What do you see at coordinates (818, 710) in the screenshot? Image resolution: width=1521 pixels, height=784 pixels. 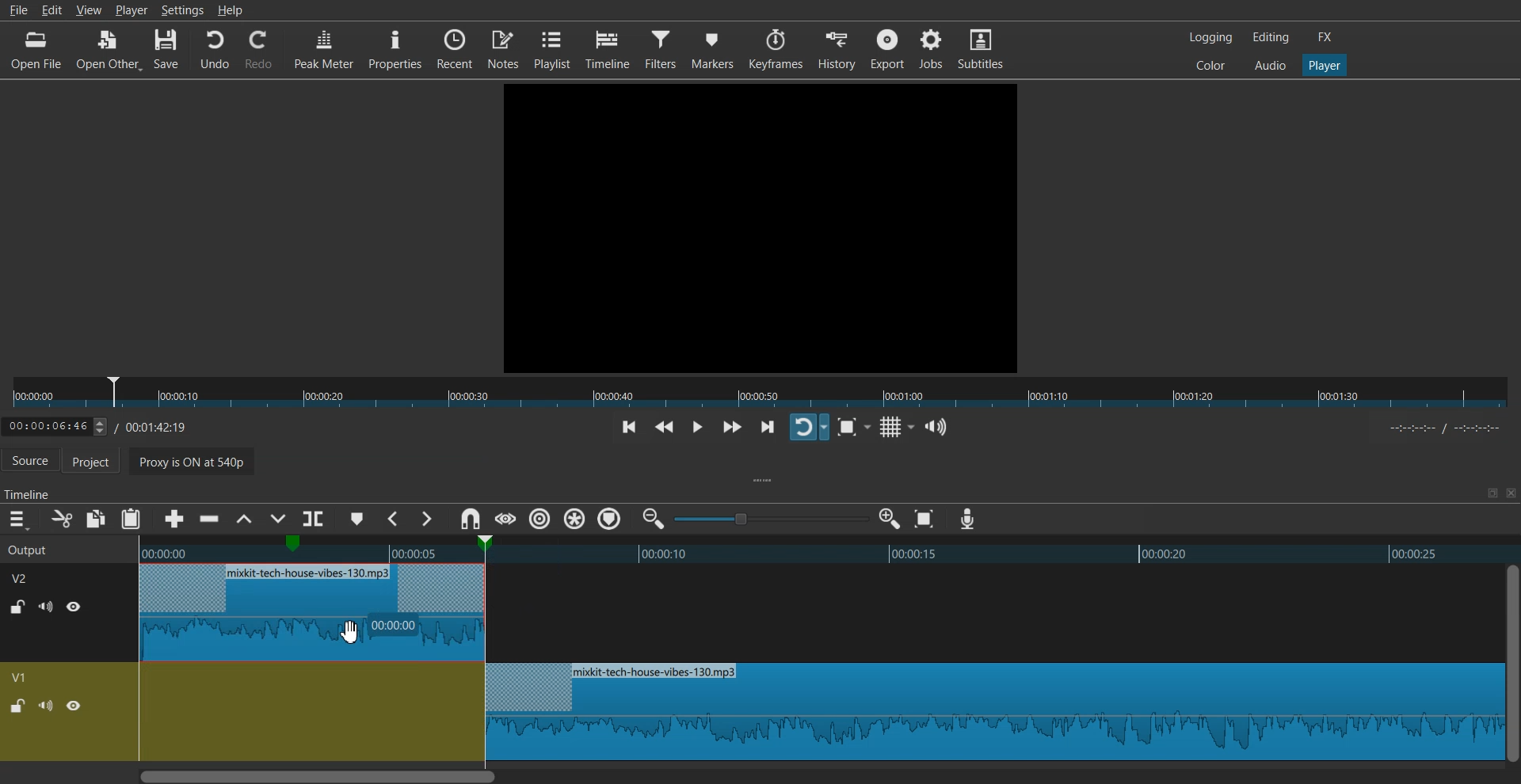 I see `Blank timeline` at bounding box center [818, 710].